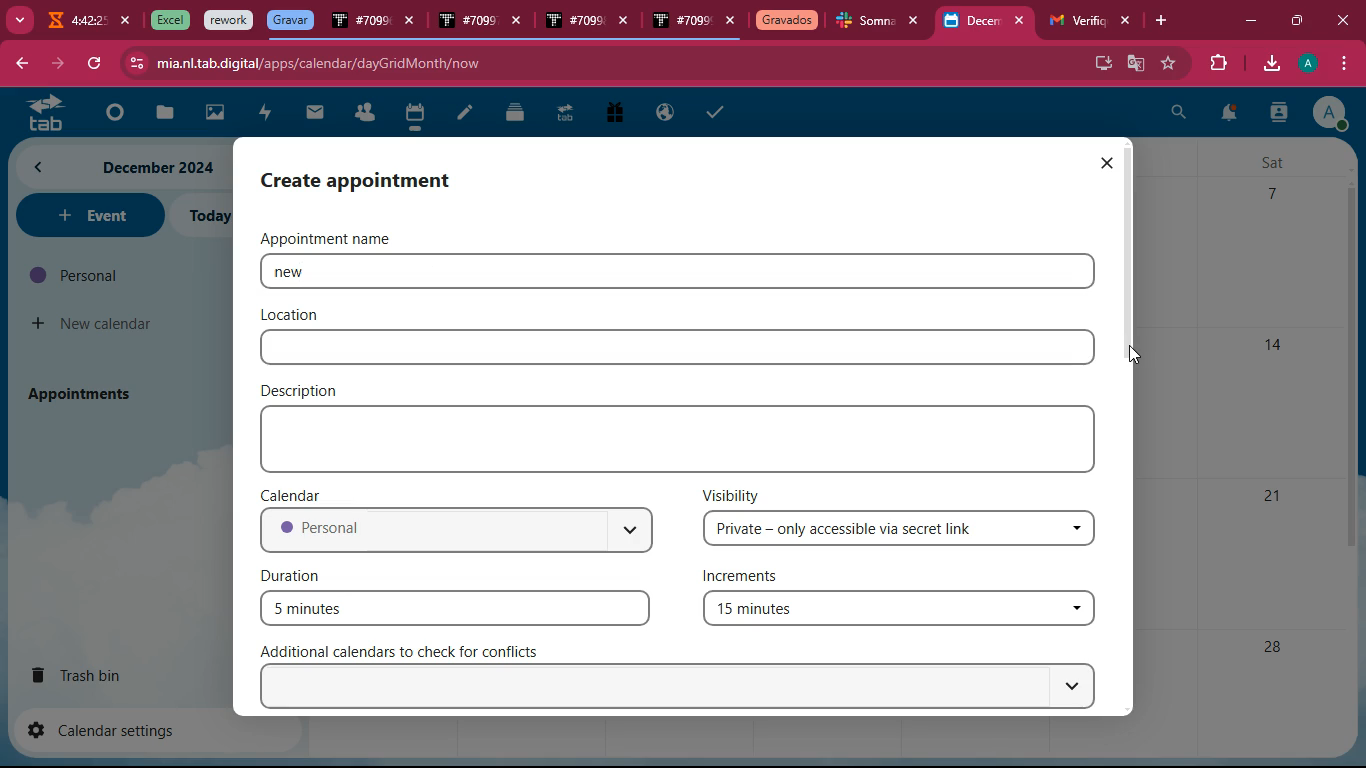 Image resolution: width=1366 pixels, height=768 pixels. I want to click on additional calendar, so click(411, 651).